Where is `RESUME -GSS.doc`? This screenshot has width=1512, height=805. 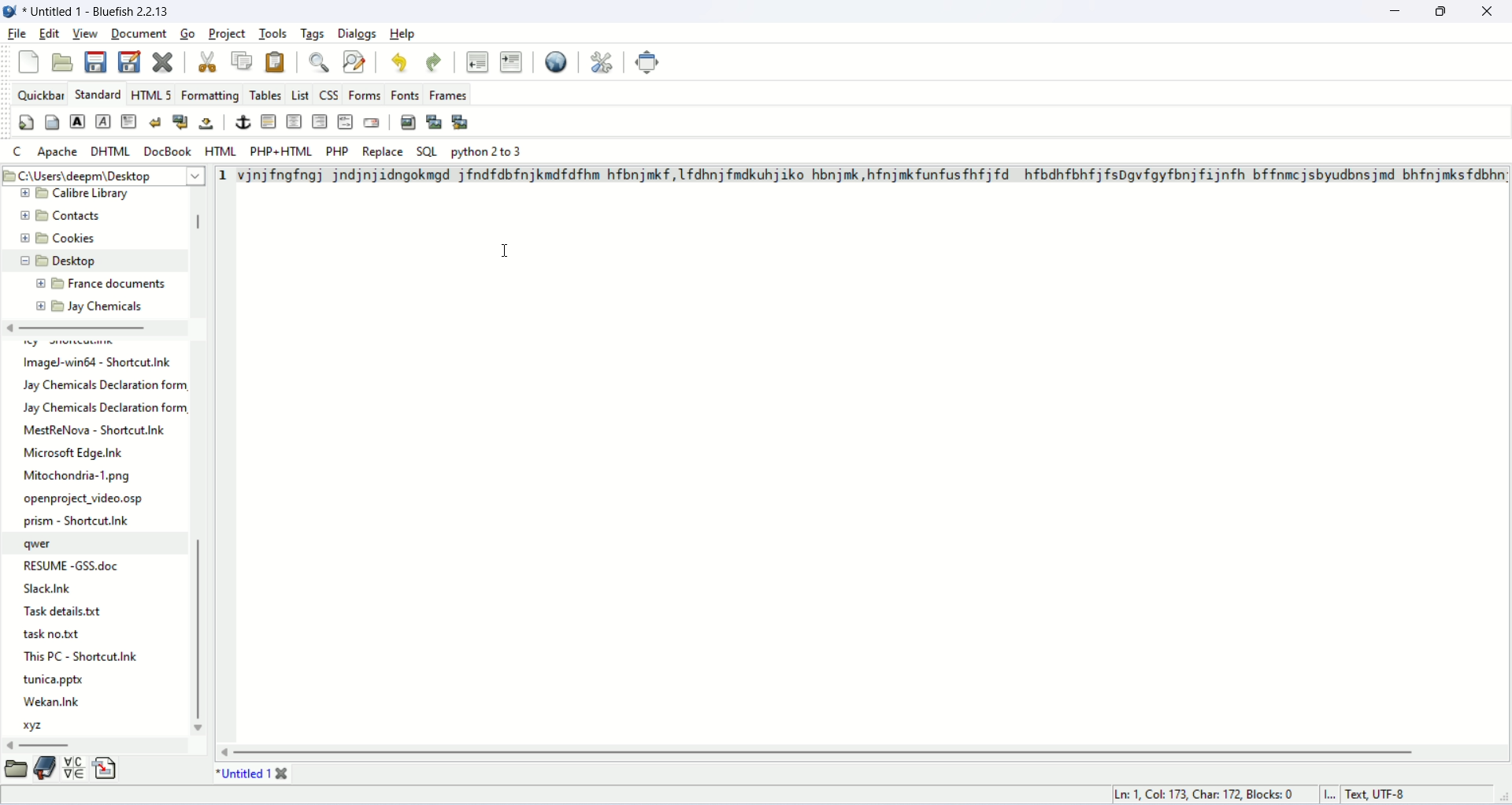 RESUME -GSS.doc is located at coordinates (73, 566).